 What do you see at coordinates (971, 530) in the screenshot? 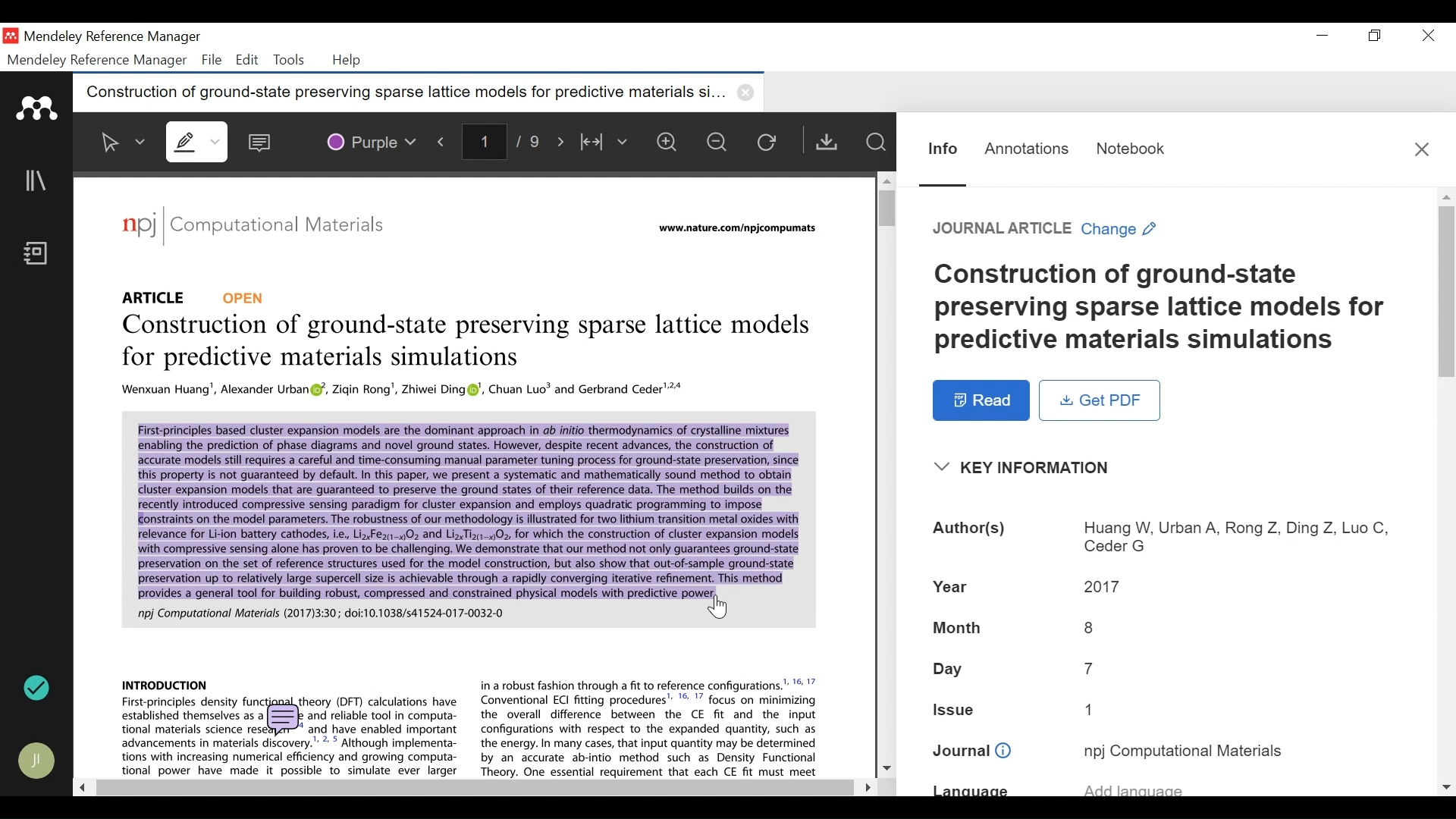
I see `Authors` at bounding box center [971, 530].